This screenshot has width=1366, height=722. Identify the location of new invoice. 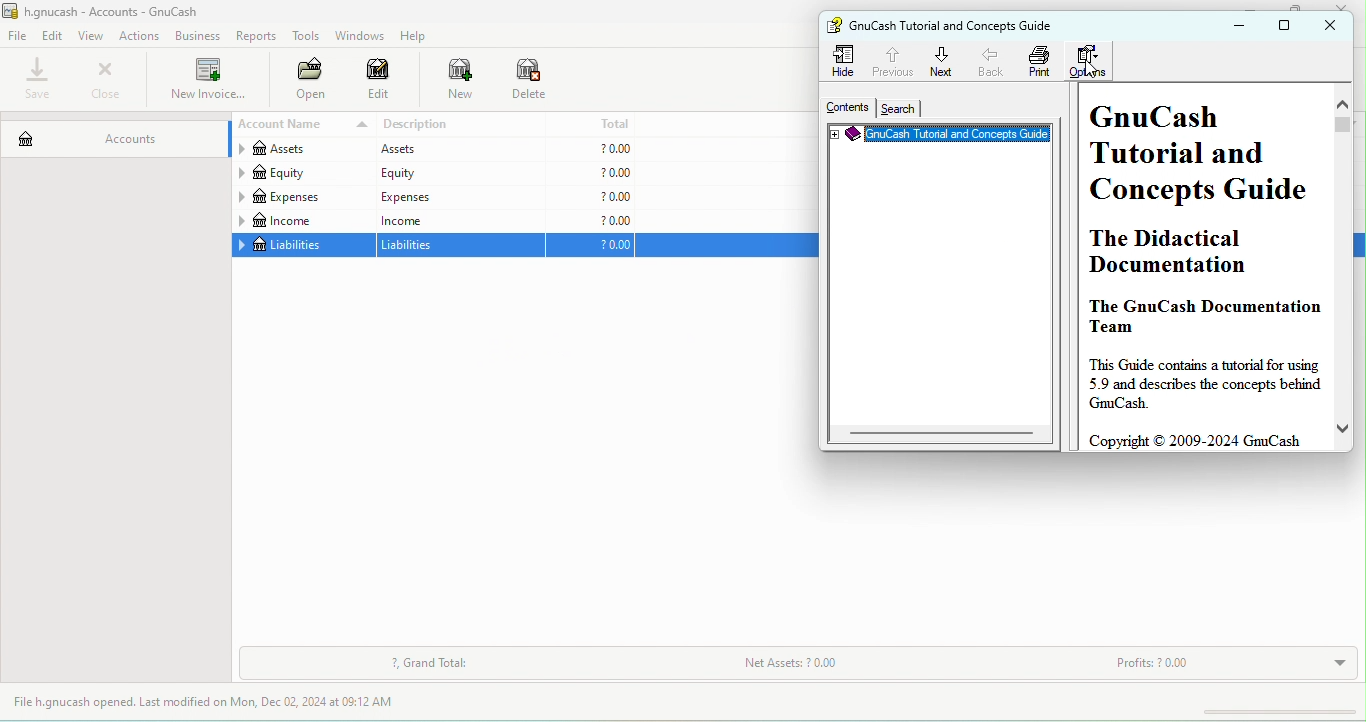
(206, 81).